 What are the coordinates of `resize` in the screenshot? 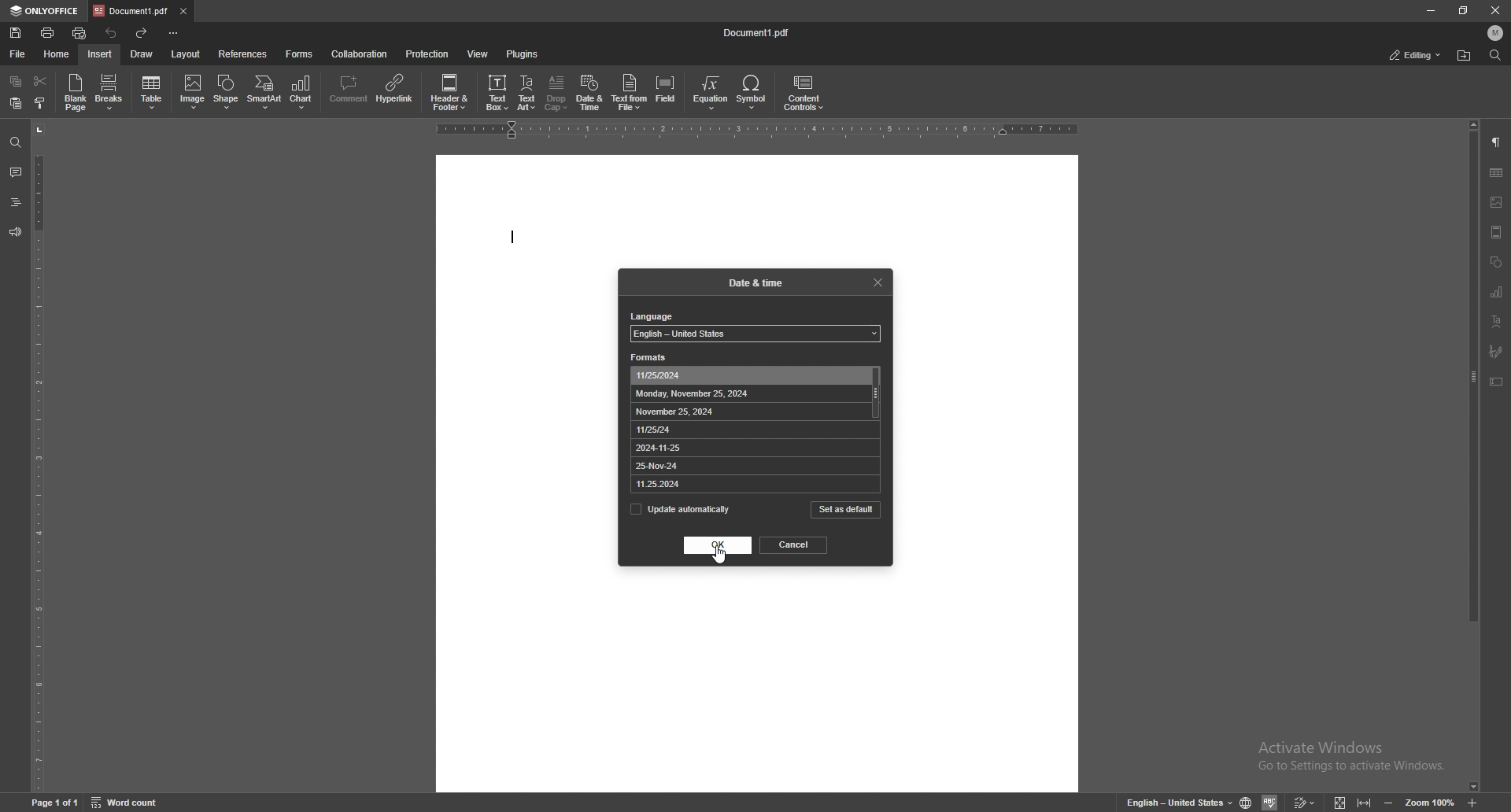 It's located at (1464, 10).